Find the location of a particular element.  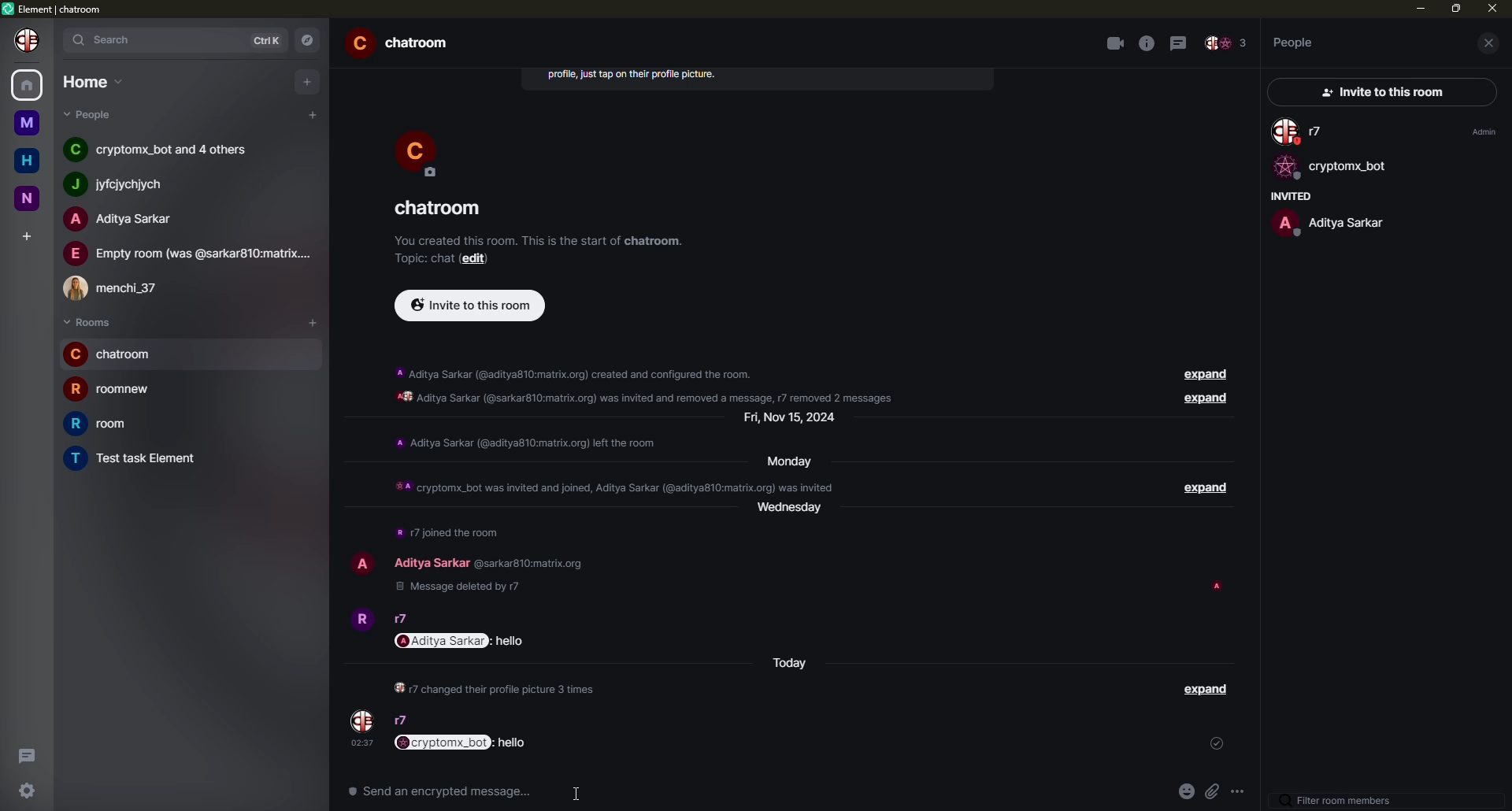

people is located at coordinates (400, 618).